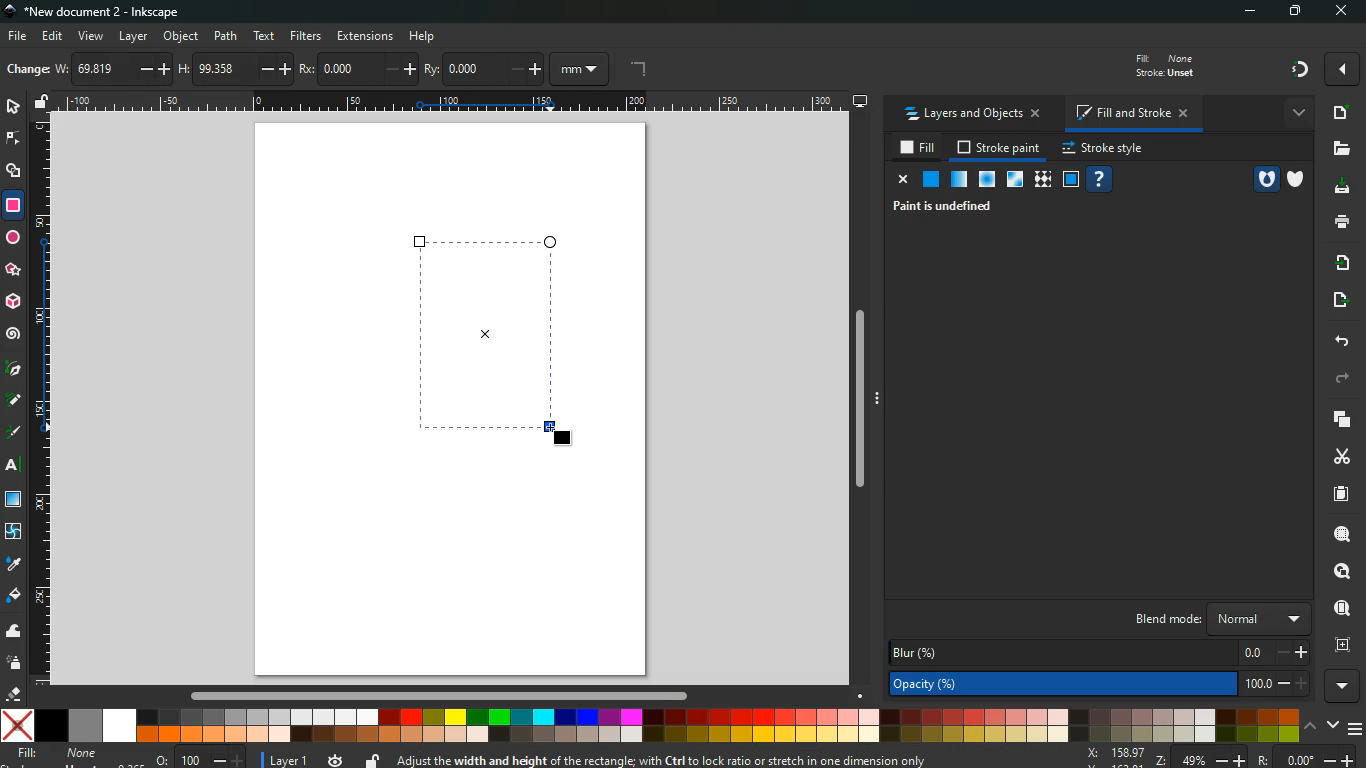  I want to click on down, so click(1332, 724).